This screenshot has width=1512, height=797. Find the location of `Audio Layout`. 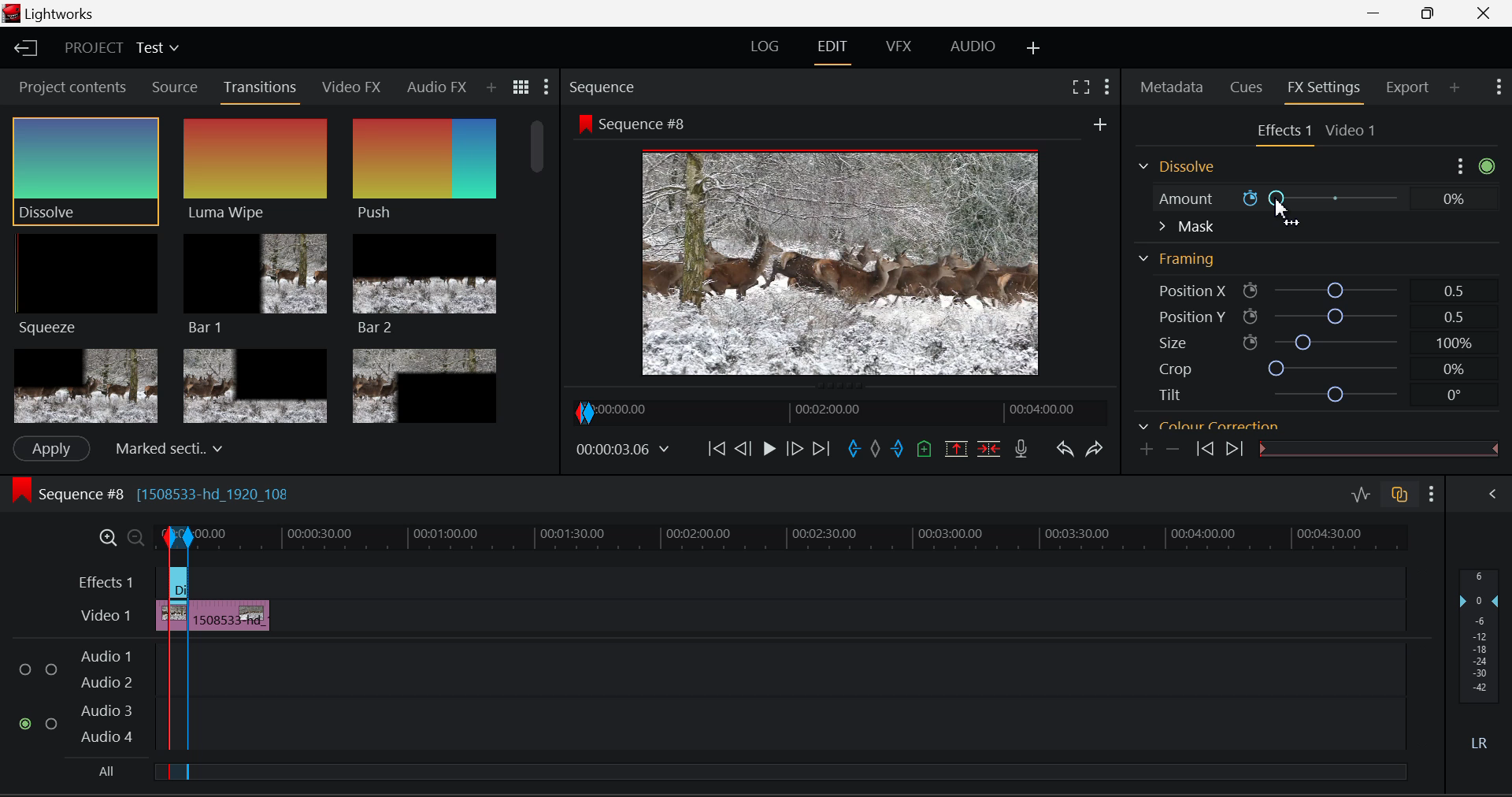

Audio Layout is located at coordinates (969, 50).